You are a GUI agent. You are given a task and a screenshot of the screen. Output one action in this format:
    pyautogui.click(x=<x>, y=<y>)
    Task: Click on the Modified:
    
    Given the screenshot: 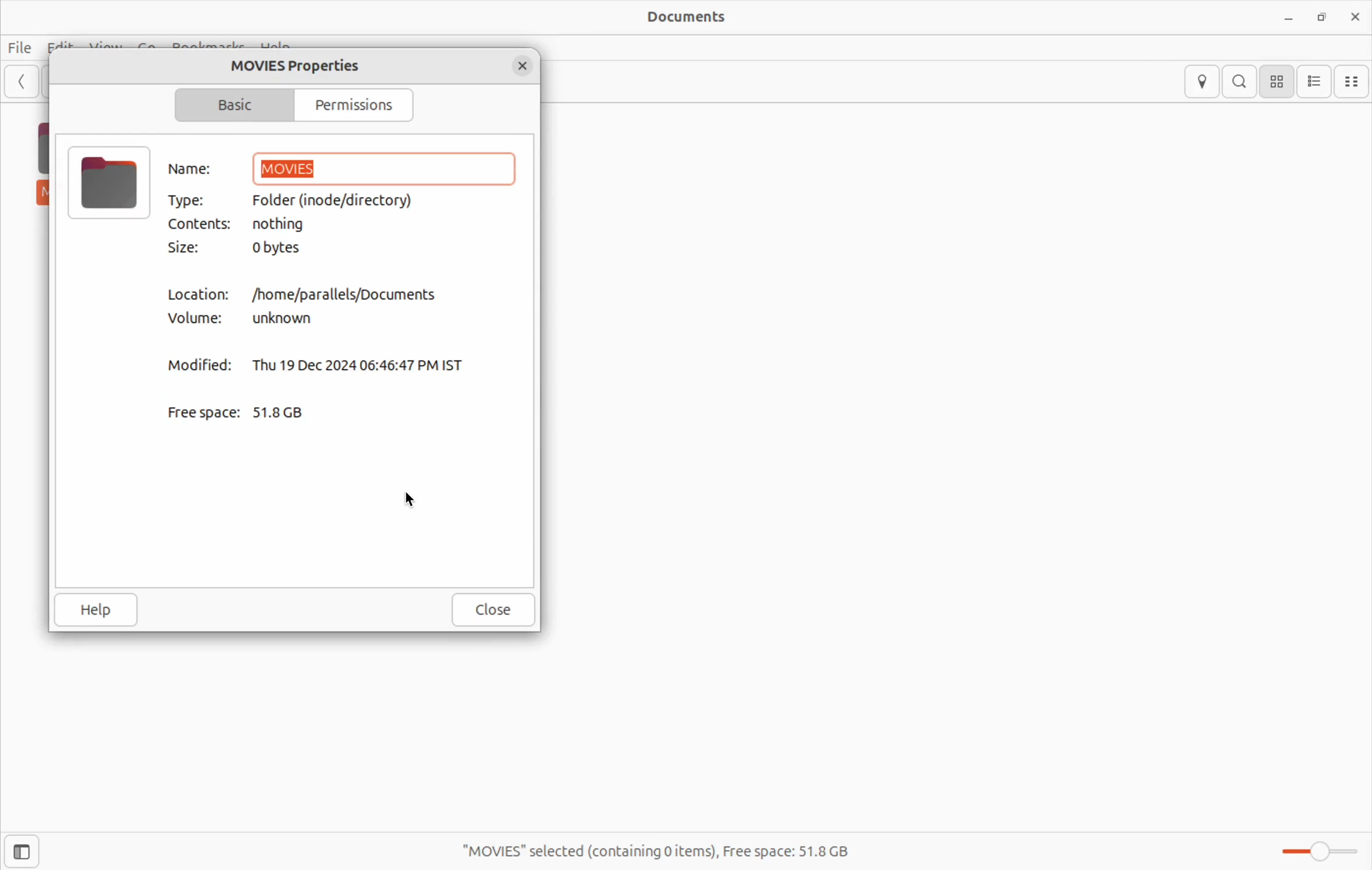 What is the action you would take?
    pyautogui.click(x=199, y=369)
    